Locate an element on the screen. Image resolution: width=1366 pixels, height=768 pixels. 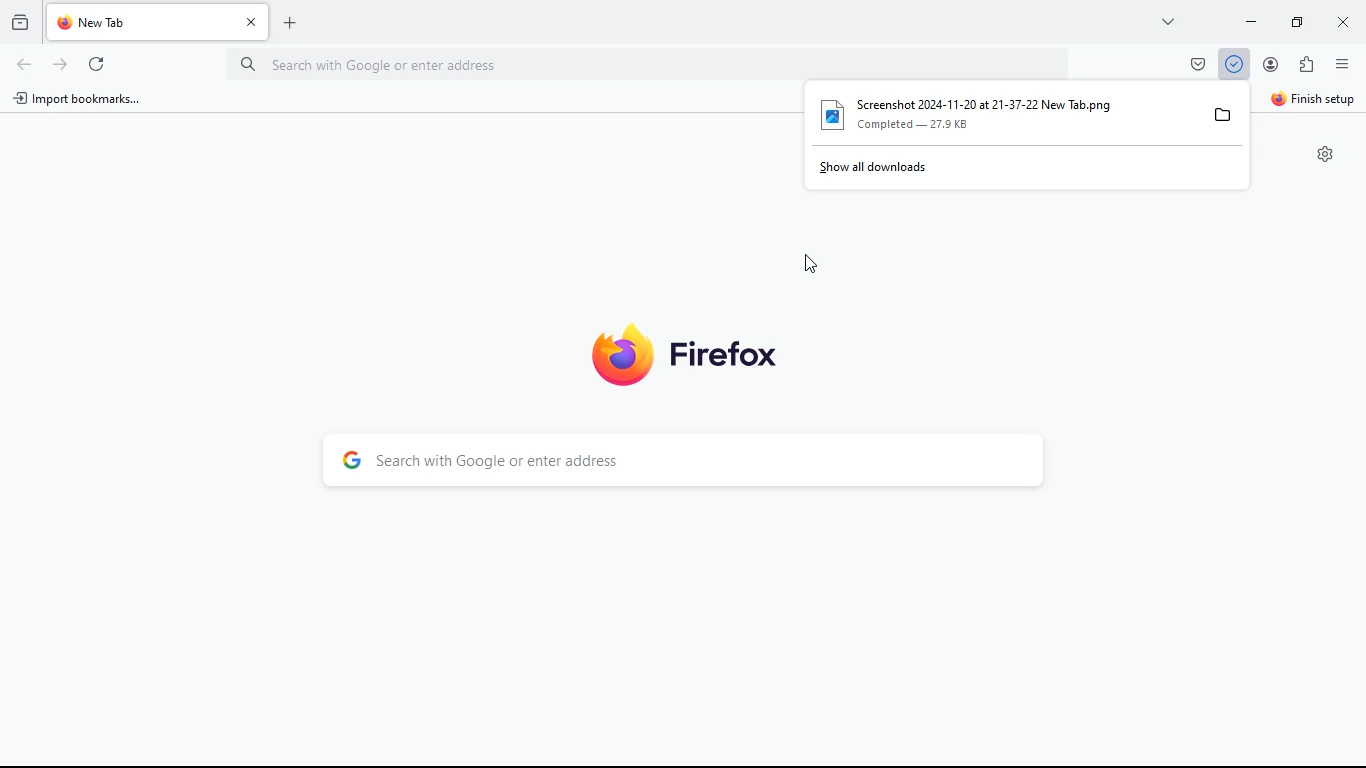
Search bar is located at coordinates (681, 461).